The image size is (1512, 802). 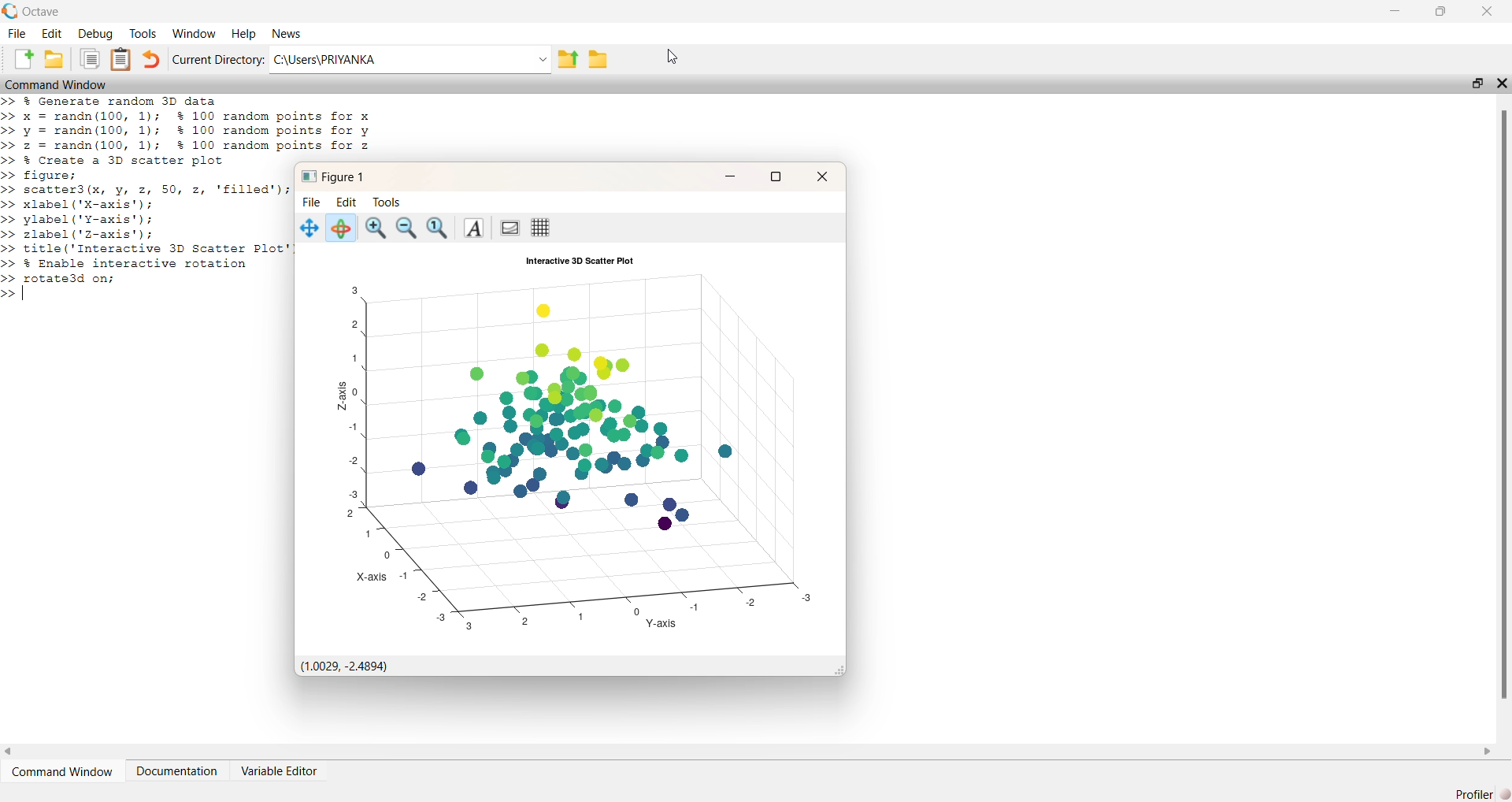 I want to click on Current Directory:, so click(x=218, y=60).